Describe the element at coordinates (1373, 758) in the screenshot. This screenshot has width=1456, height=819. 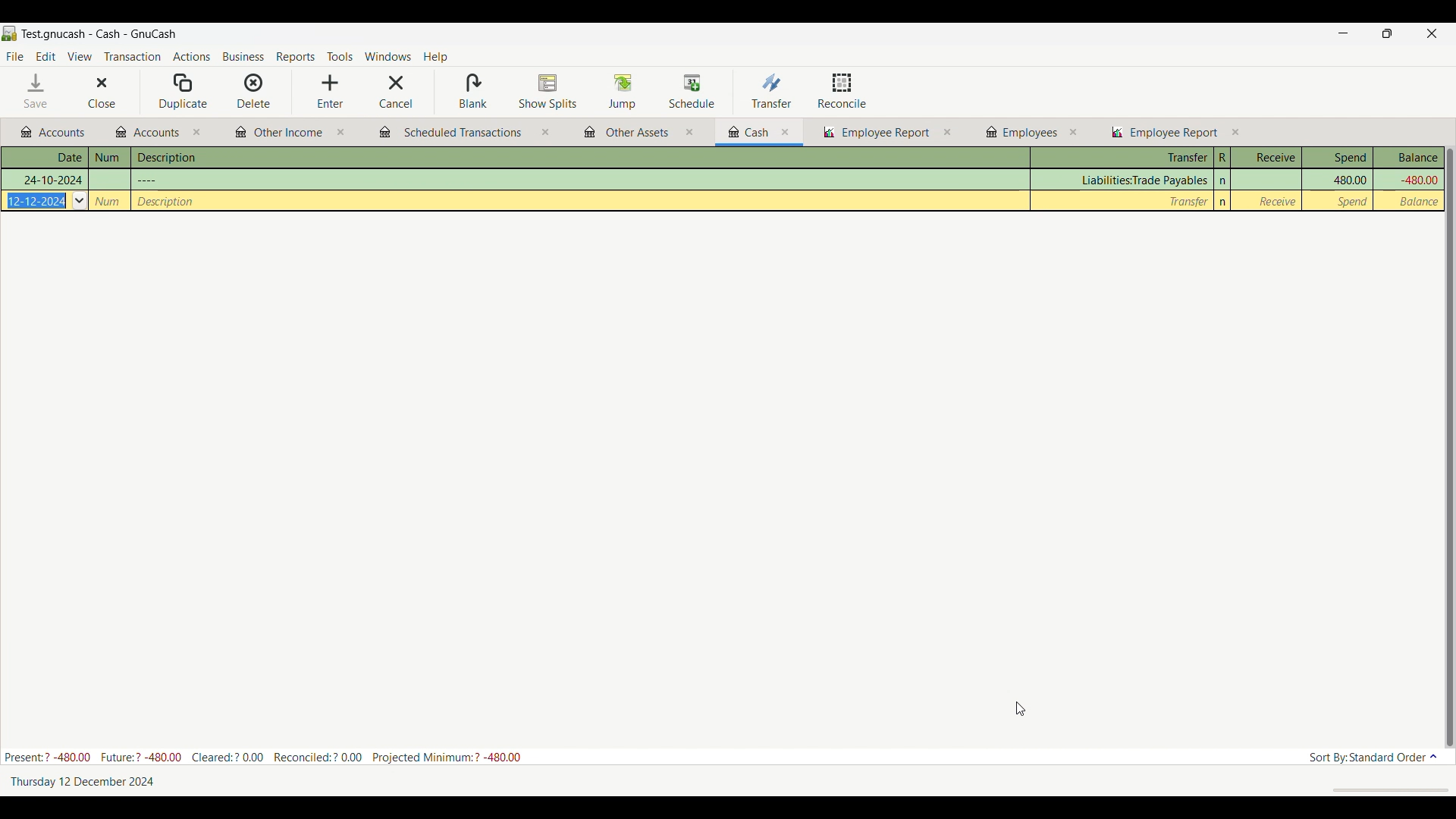
I see `Current sort order` at that location.